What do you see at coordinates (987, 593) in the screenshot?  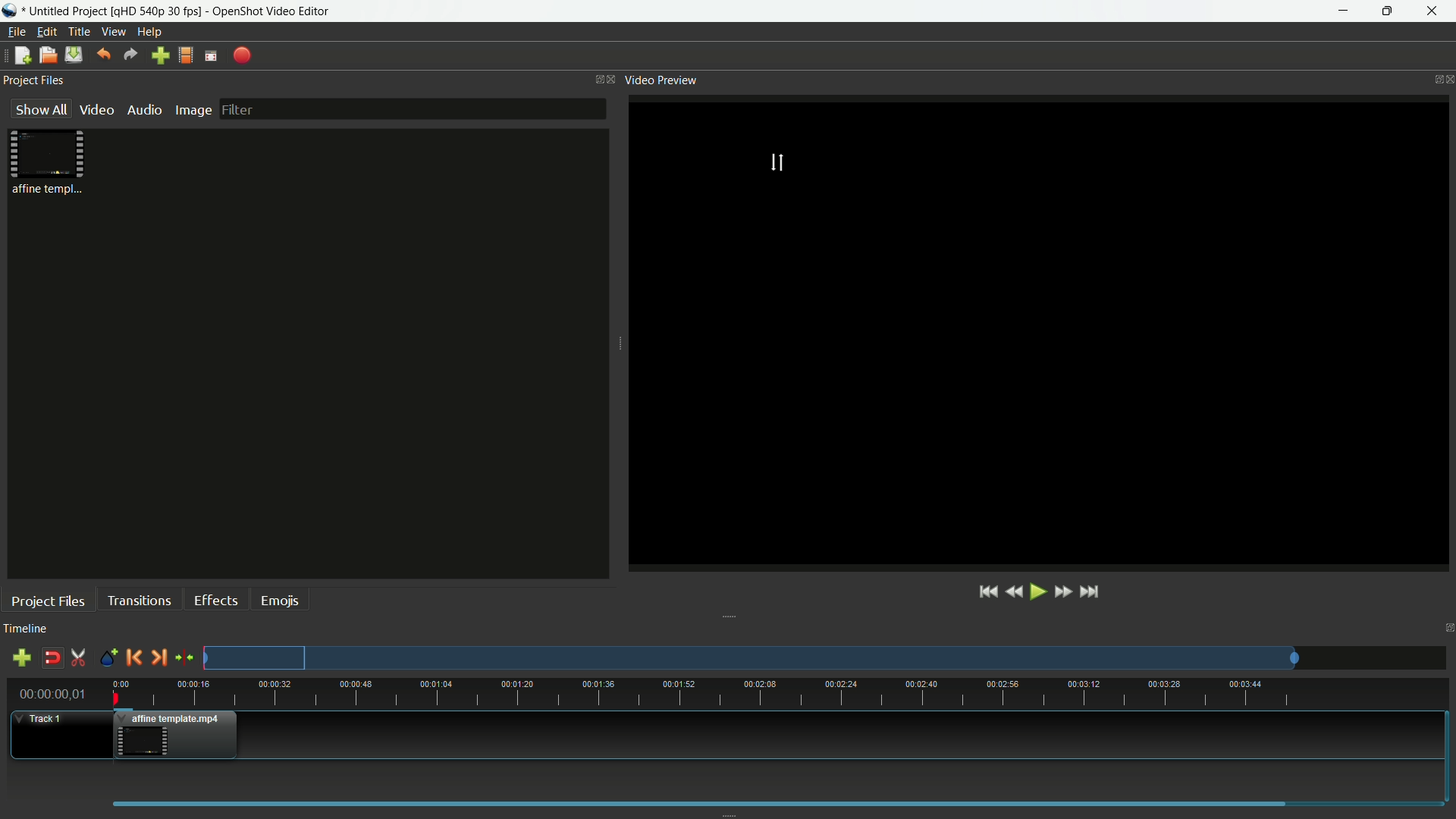 I see `jump to start` at bounding box center [987, 593].